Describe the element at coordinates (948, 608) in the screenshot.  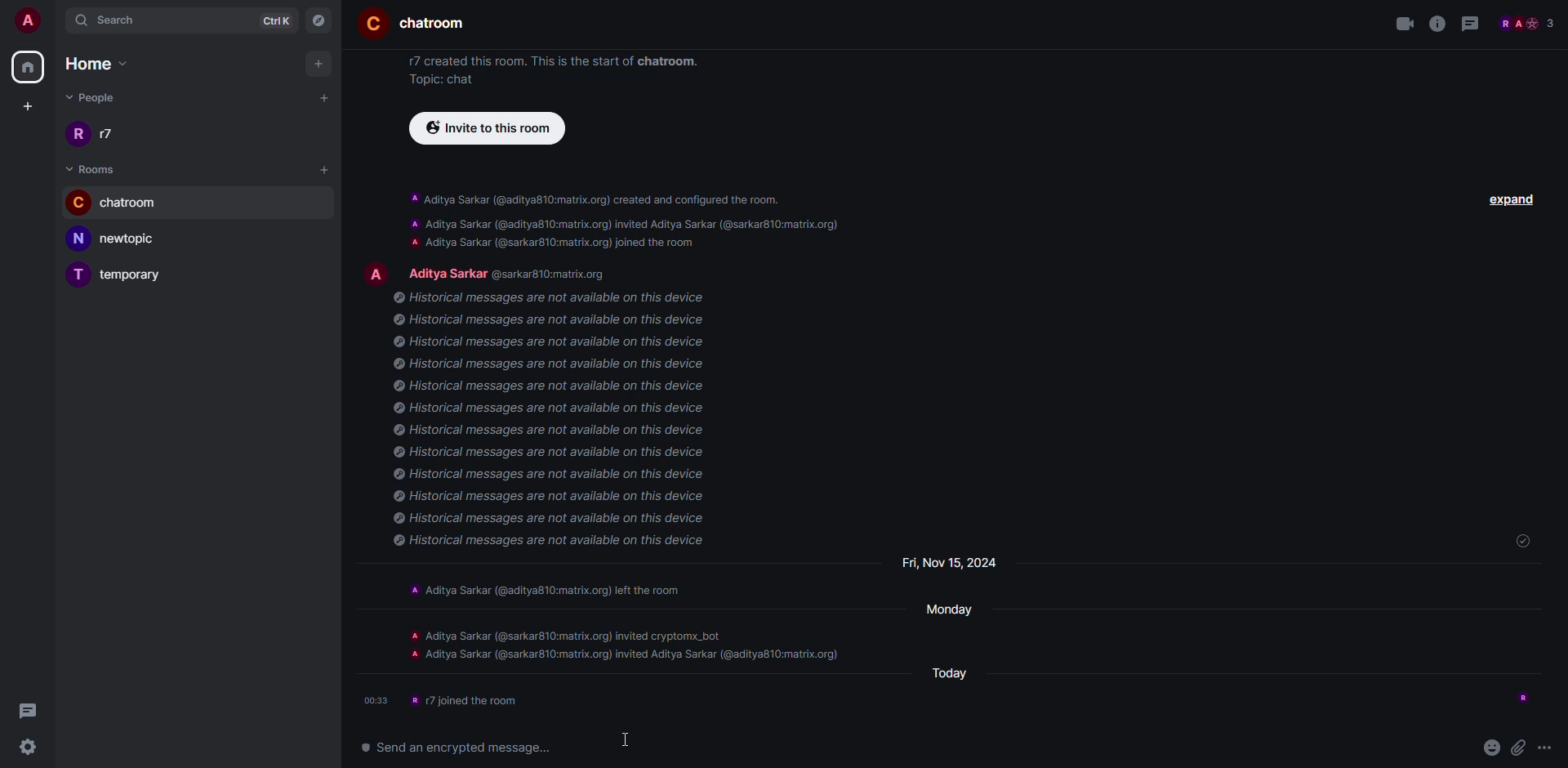
I see `day` at that location.